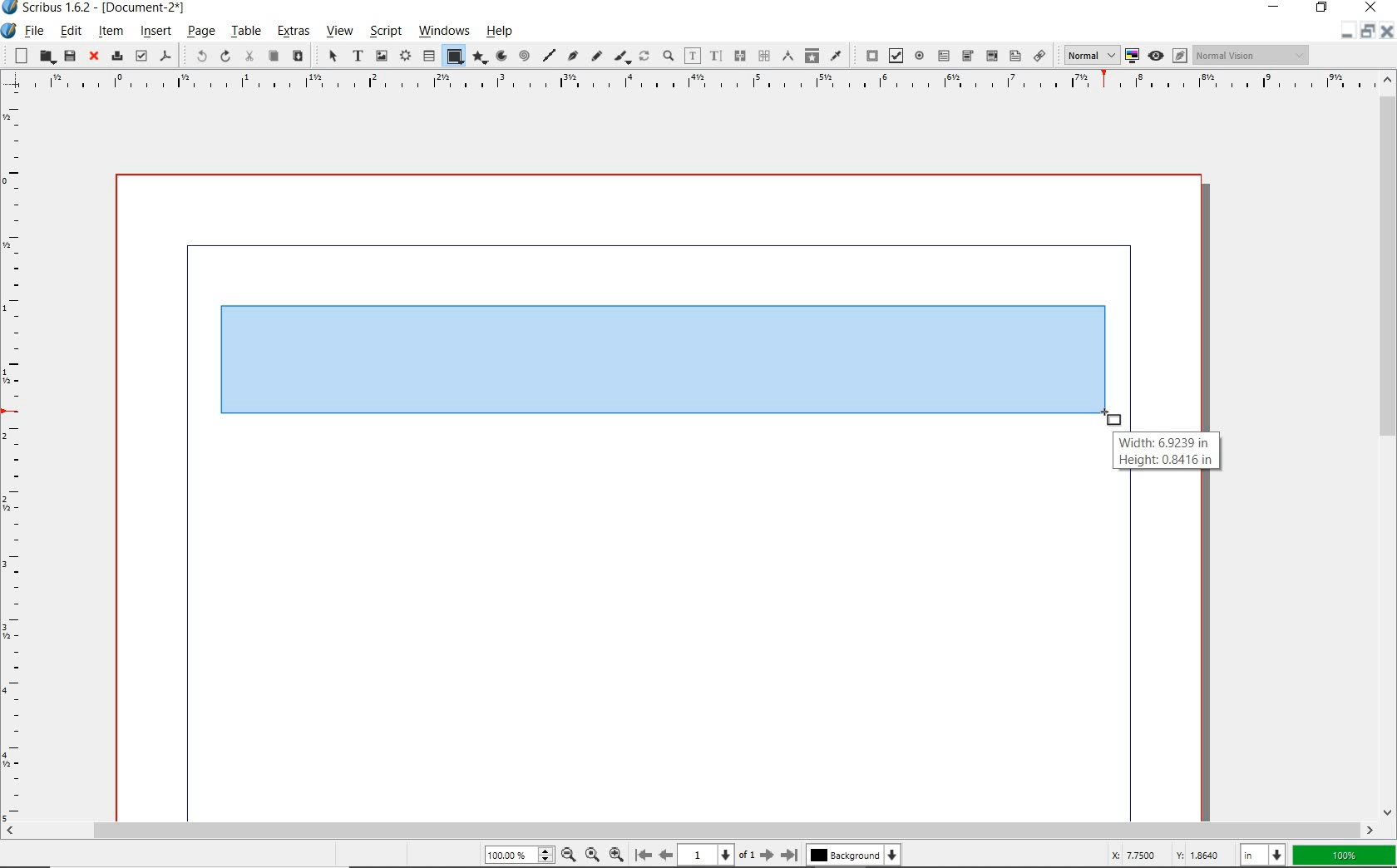 The image size is (1397, 868). Describe the element at coordinates (1344, 856) in the screenshot. I see `zoom factor` at that location.